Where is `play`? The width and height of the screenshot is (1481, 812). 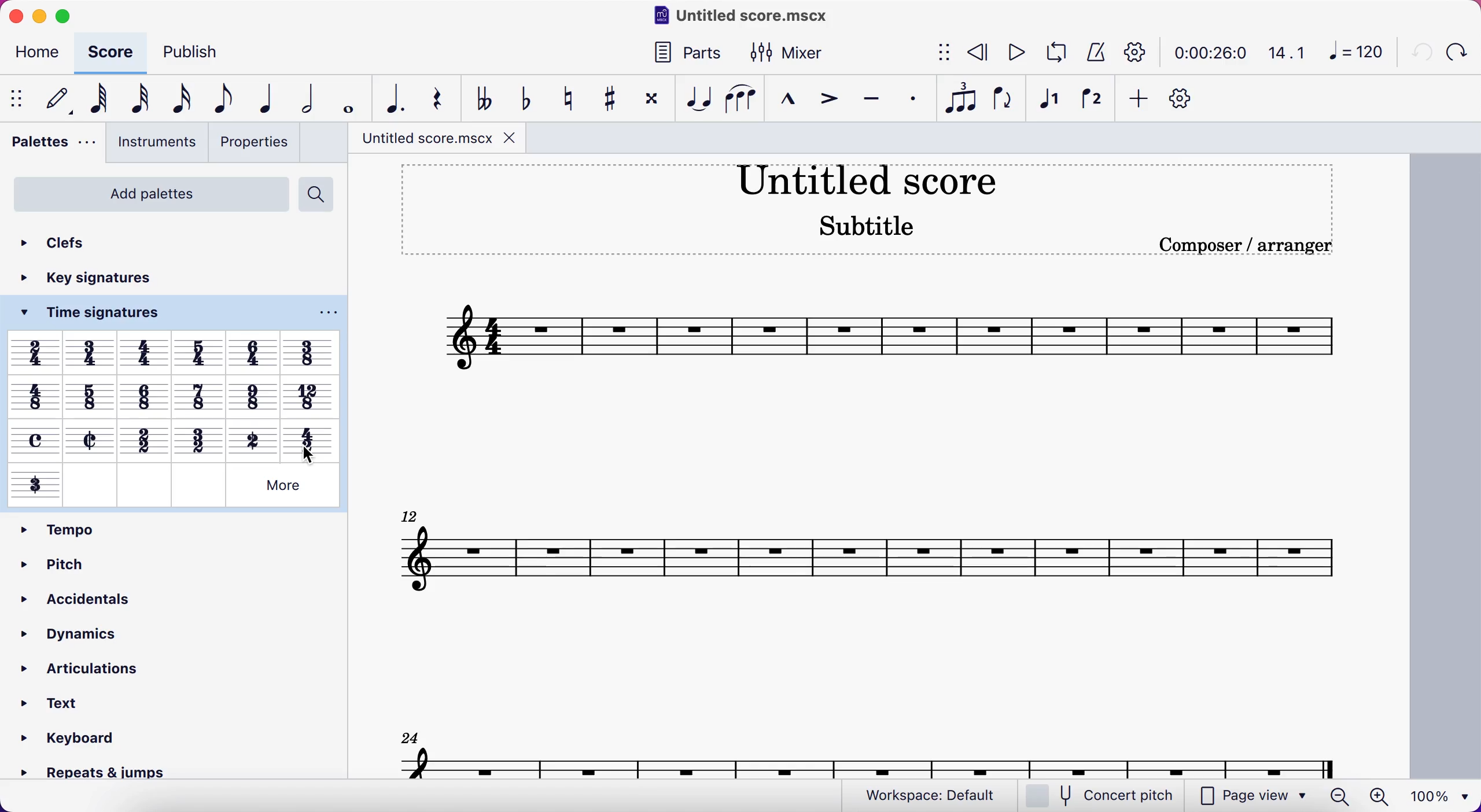
play is located at coordinates (1010, 53).